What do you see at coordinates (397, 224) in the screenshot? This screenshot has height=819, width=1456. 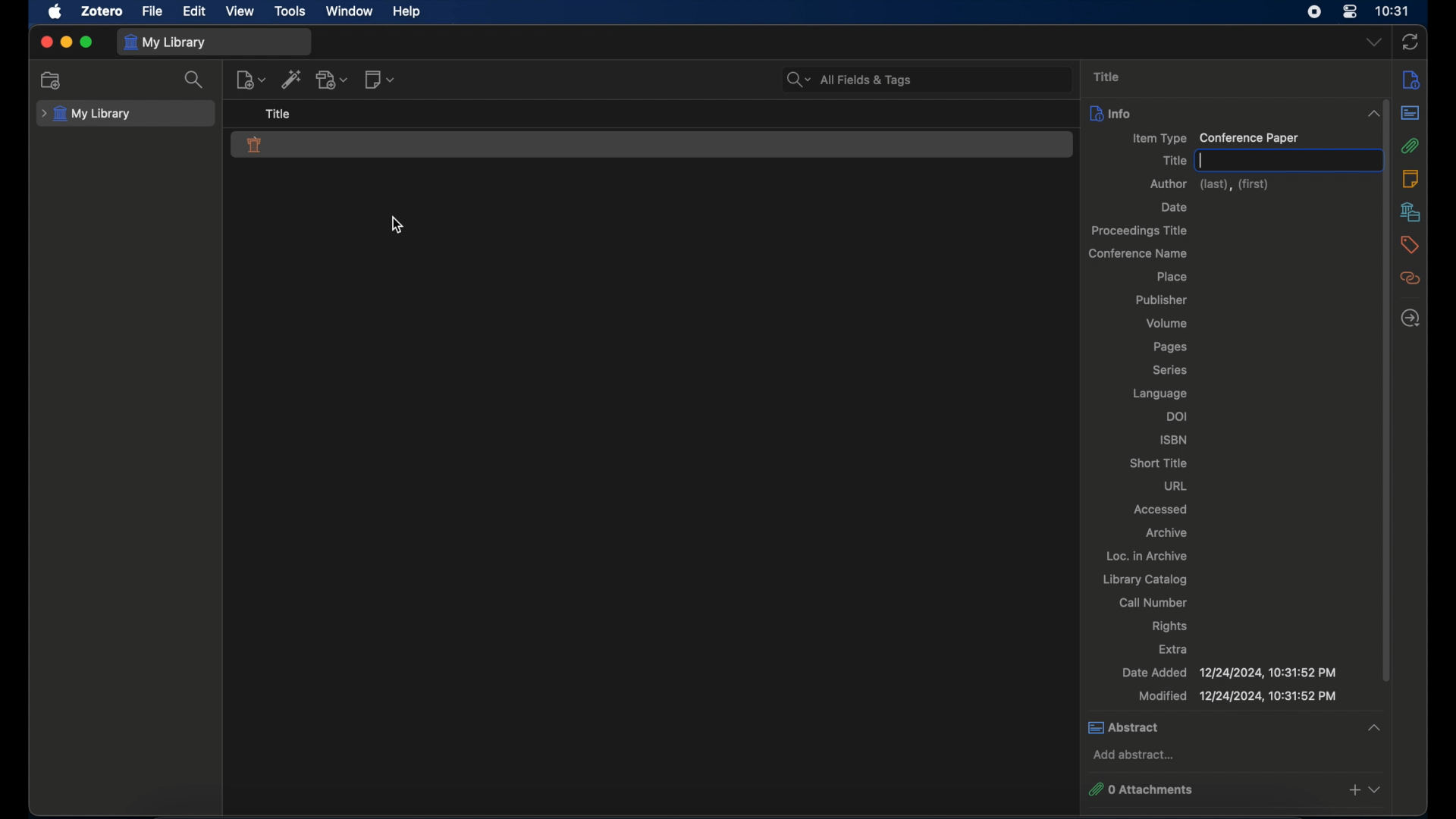 I see `cursor` at bounding box center [397, 224].